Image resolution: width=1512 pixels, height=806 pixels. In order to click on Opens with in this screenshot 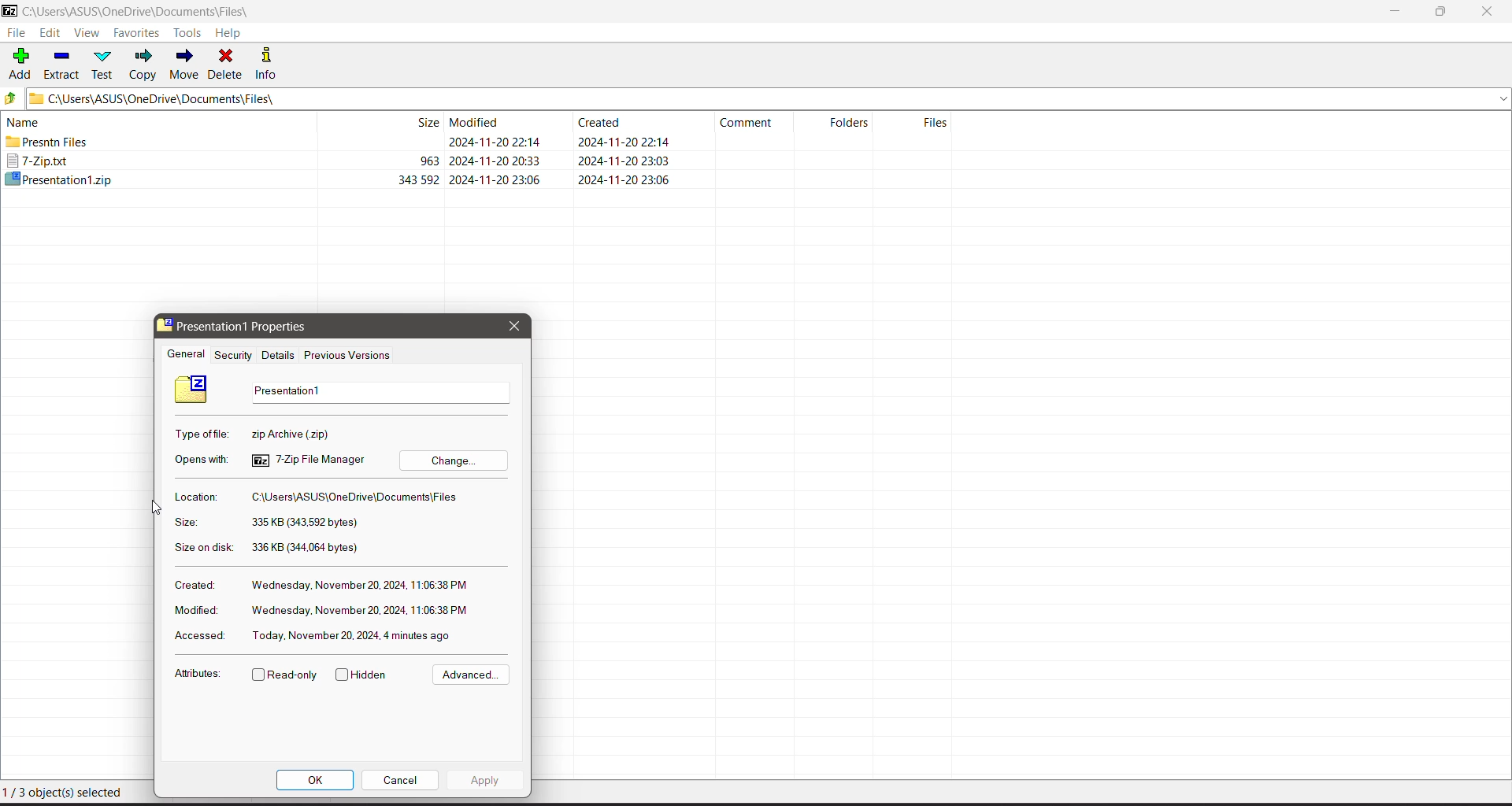, I will do `click(198, 460)`.